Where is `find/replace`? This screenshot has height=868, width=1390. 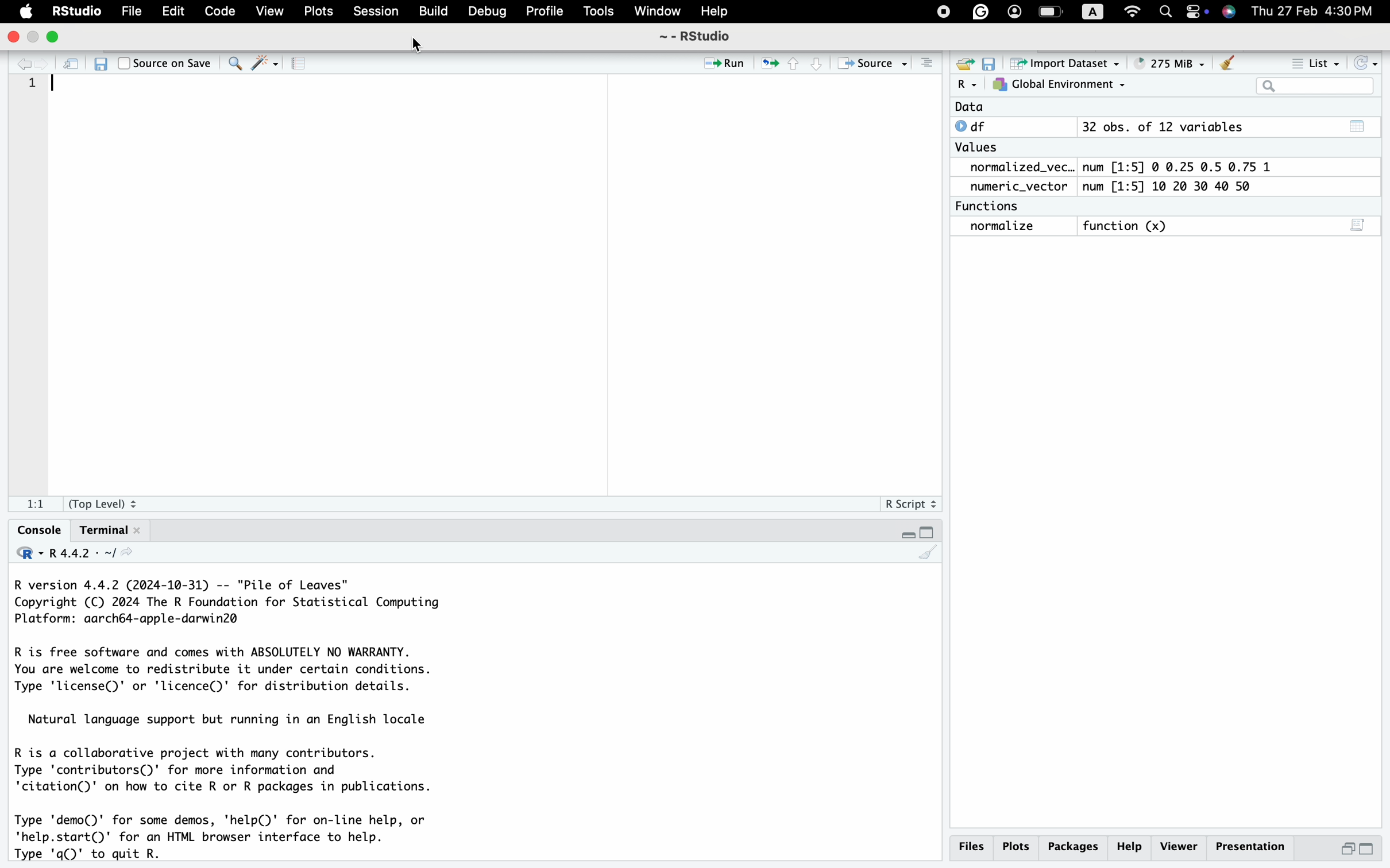 find/replace is located at coordinates (234, 67).